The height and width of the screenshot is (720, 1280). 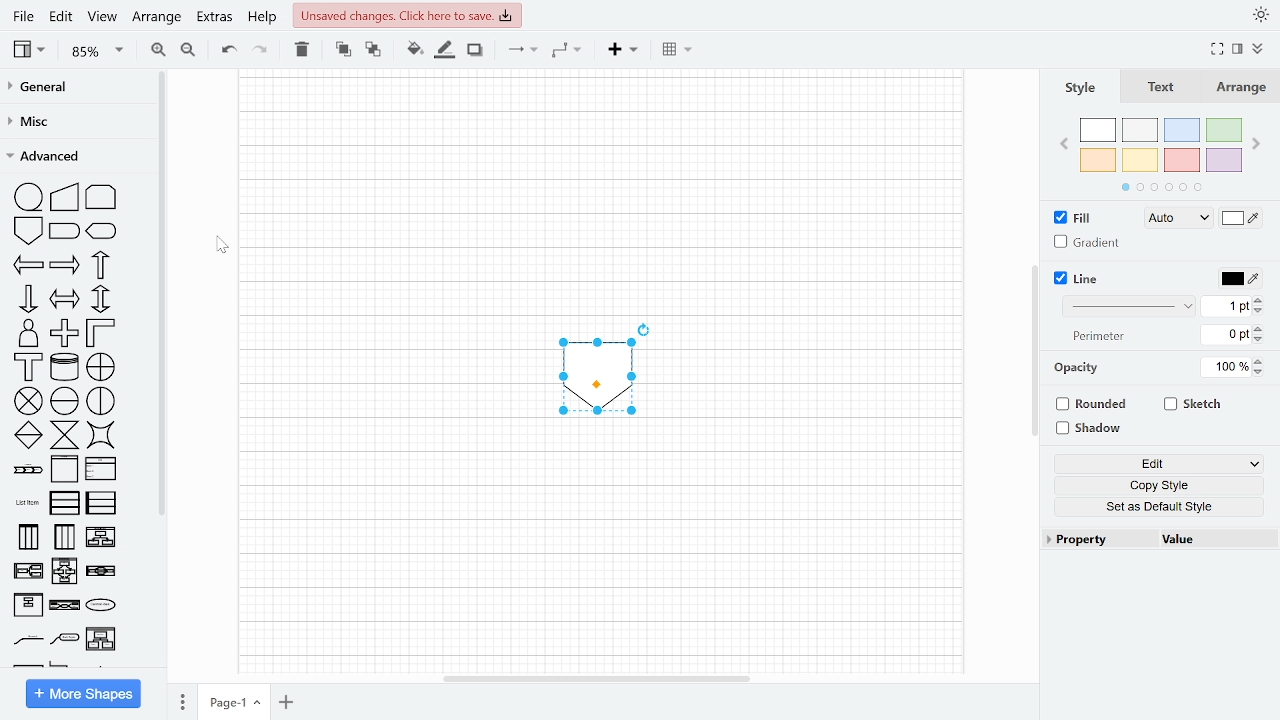 I want to click on central idea, so click(x=66, y=607).